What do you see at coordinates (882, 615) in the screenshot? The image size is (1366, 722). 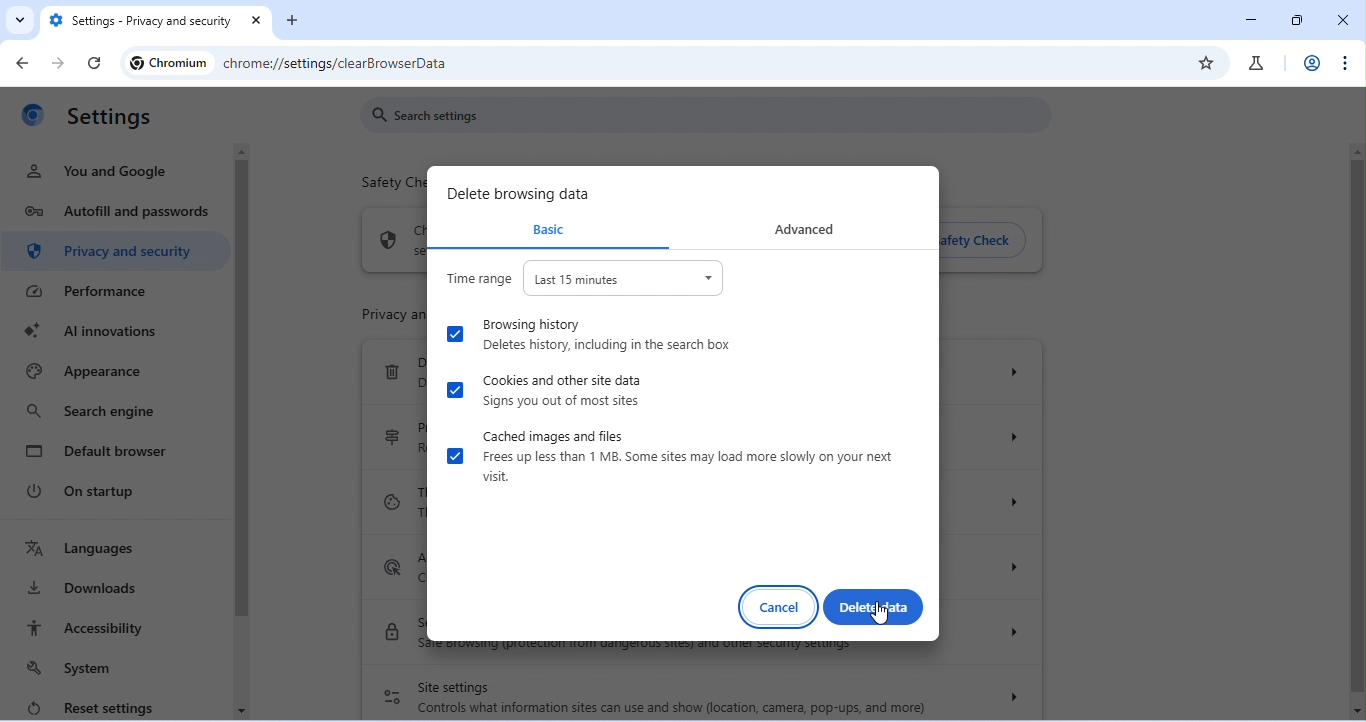 I see `cursor moved` at bounding box center [882, 615].